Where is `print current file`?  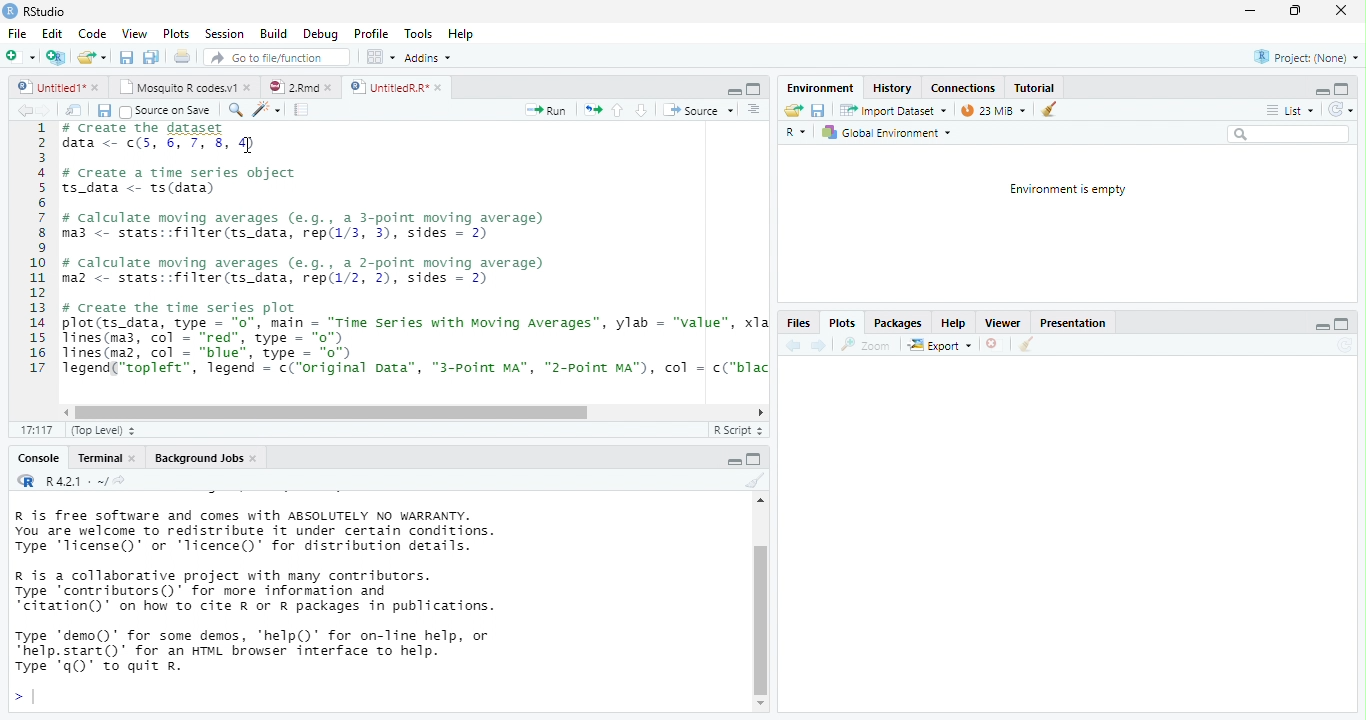
print current file is located at coordinates (151, 57).